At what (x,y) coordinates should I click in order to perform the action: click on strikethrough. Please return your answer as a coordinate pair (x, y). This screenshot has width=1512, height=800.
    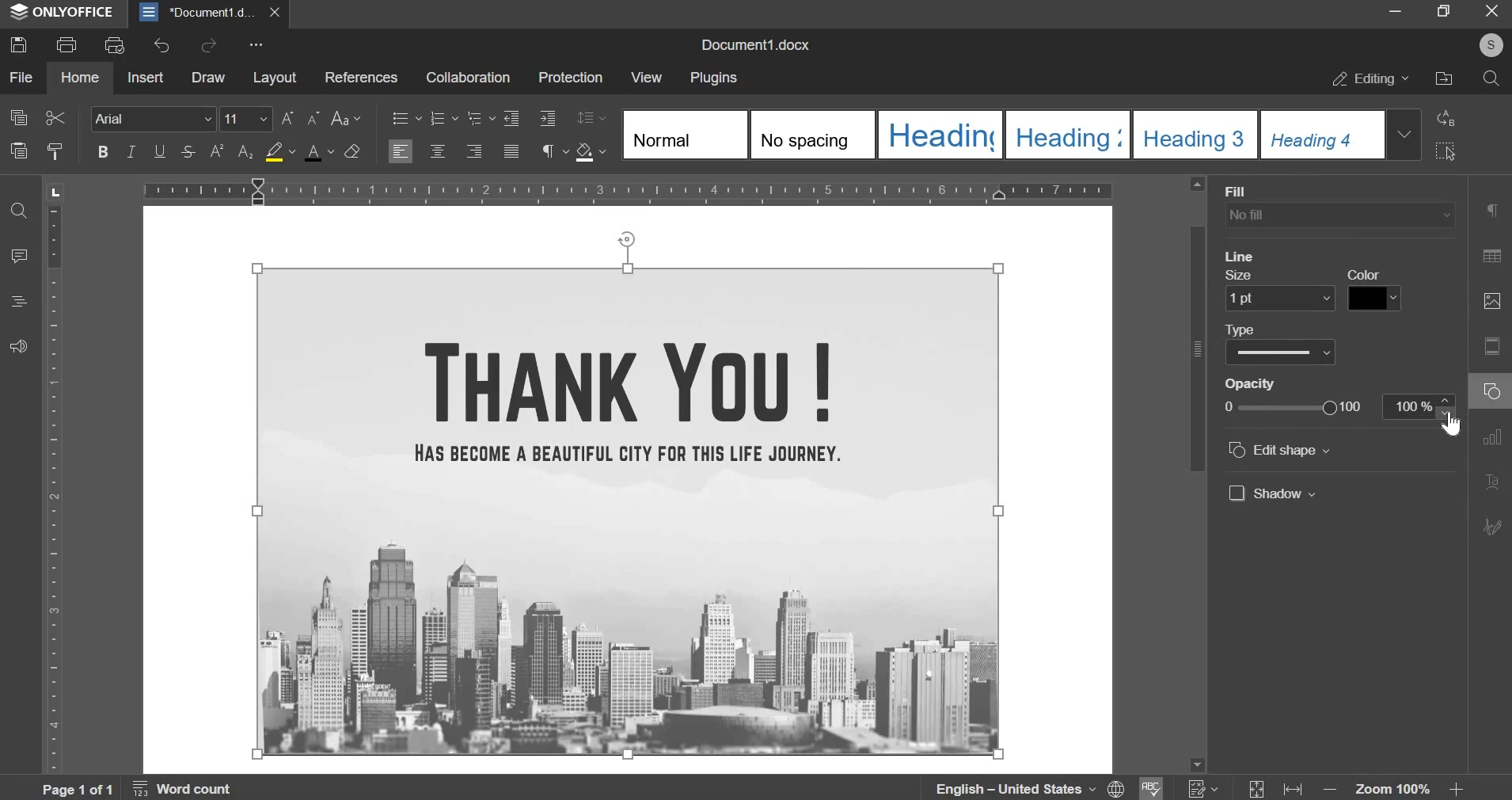
    Looking at the image, I should click on (188, 150).